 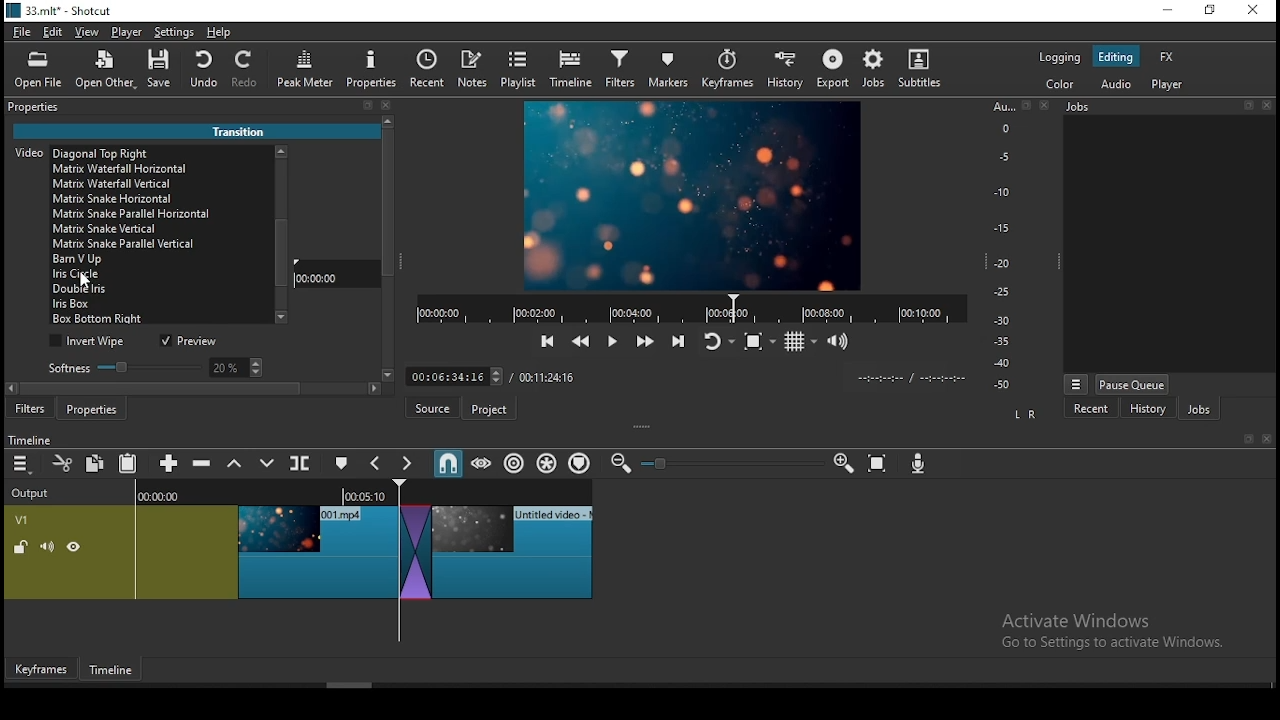 I want to click on paste, so click(x=131, y=465).